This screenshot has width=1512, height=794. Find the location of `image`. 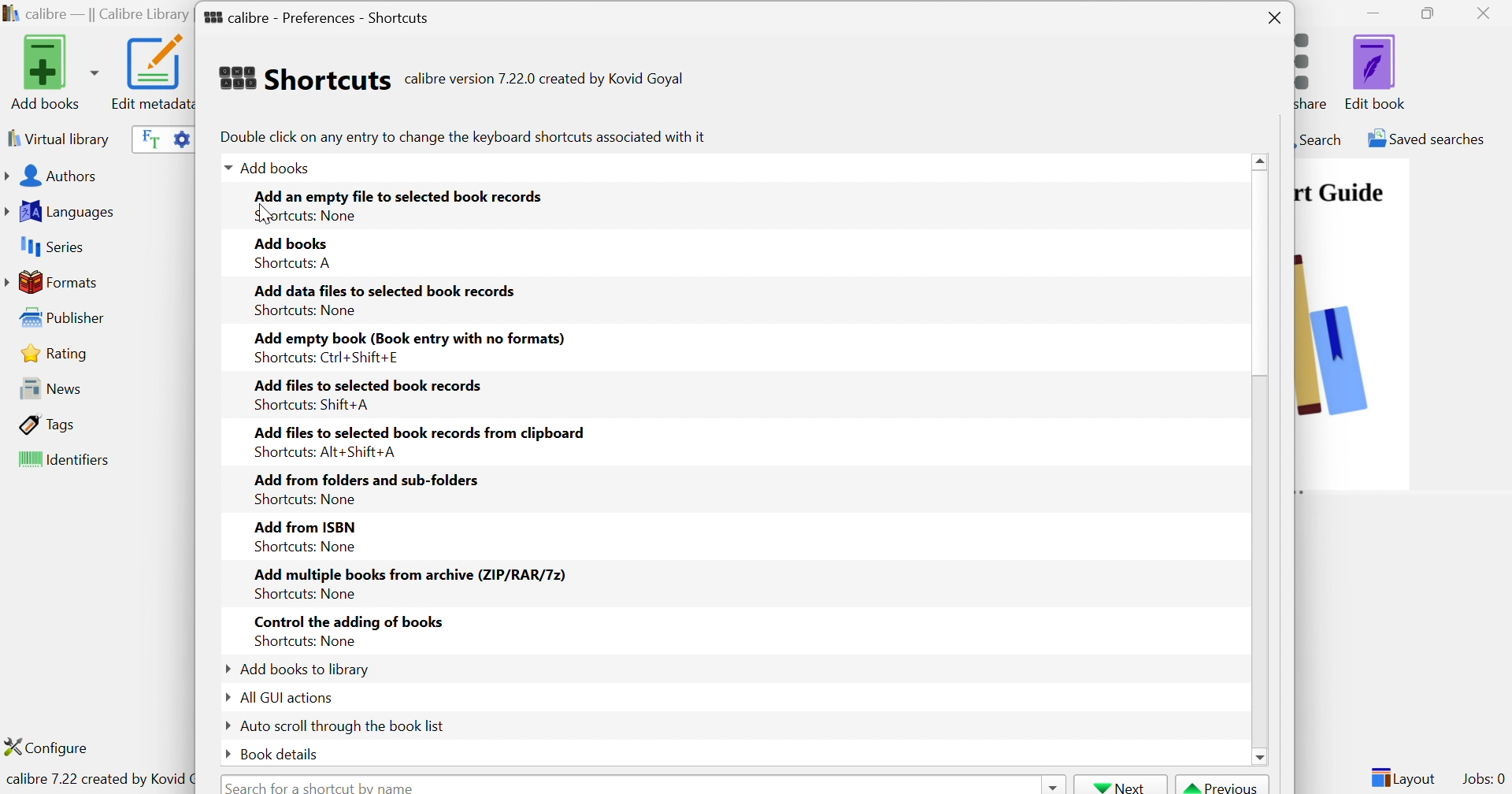

image is located at coordinates (1351, 359).